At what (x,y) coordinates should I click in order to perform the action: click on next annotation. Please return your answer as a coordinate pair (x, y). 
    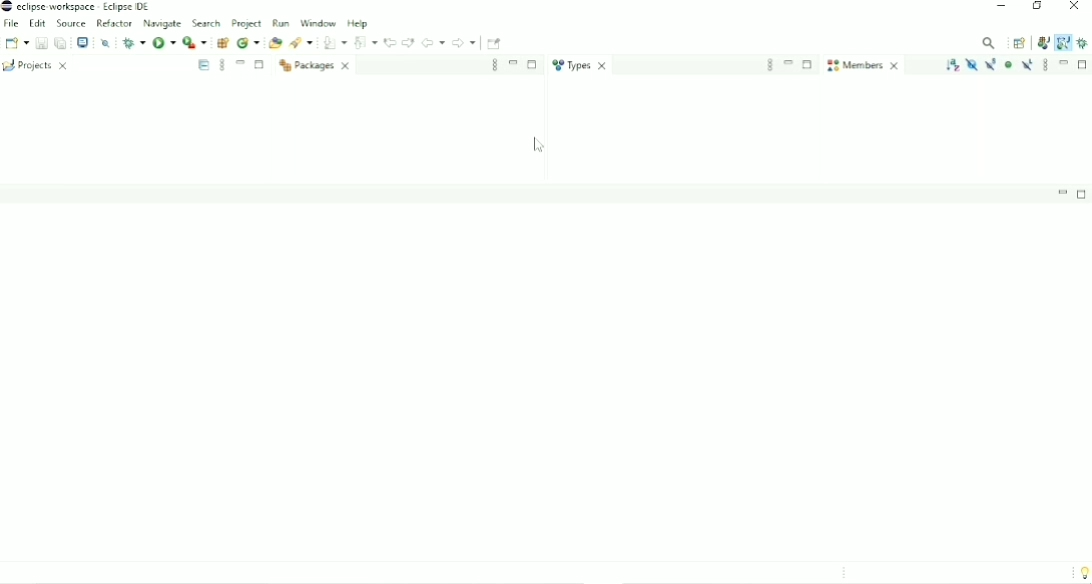
    Looking at the image, I should click on (333, 43).